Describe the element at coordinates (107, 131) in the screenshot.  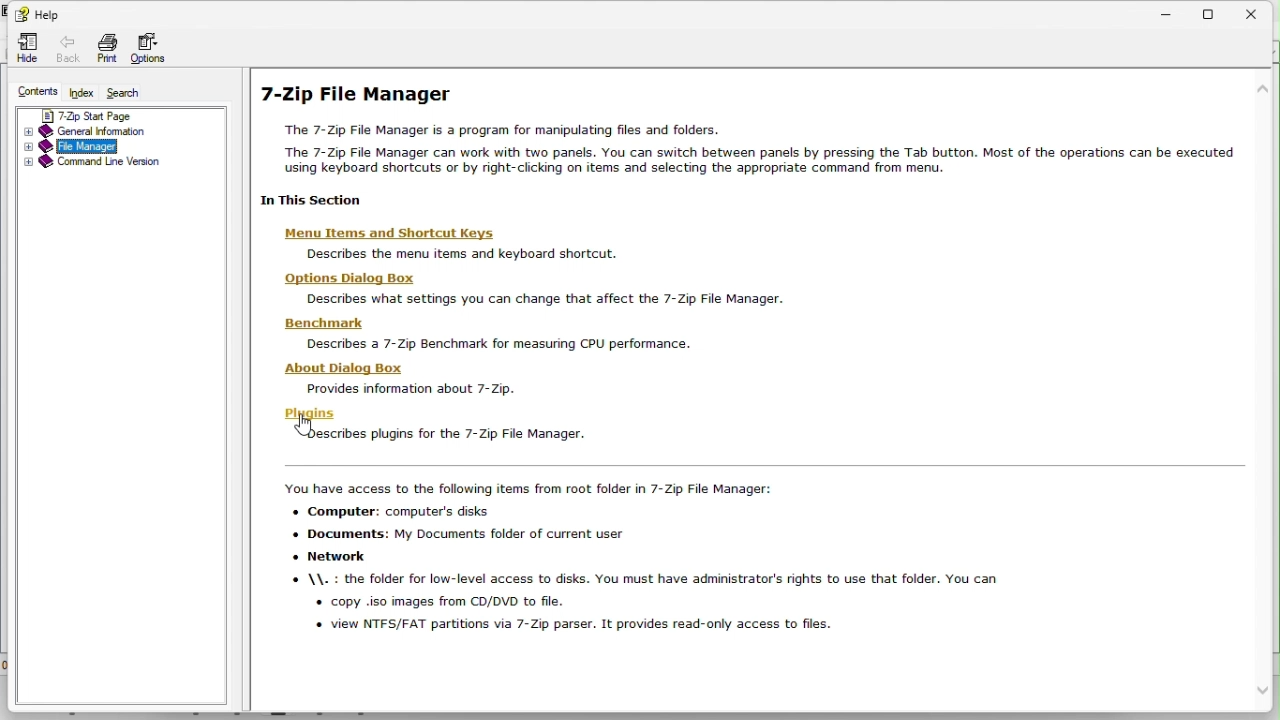
I see `General information` at that location.